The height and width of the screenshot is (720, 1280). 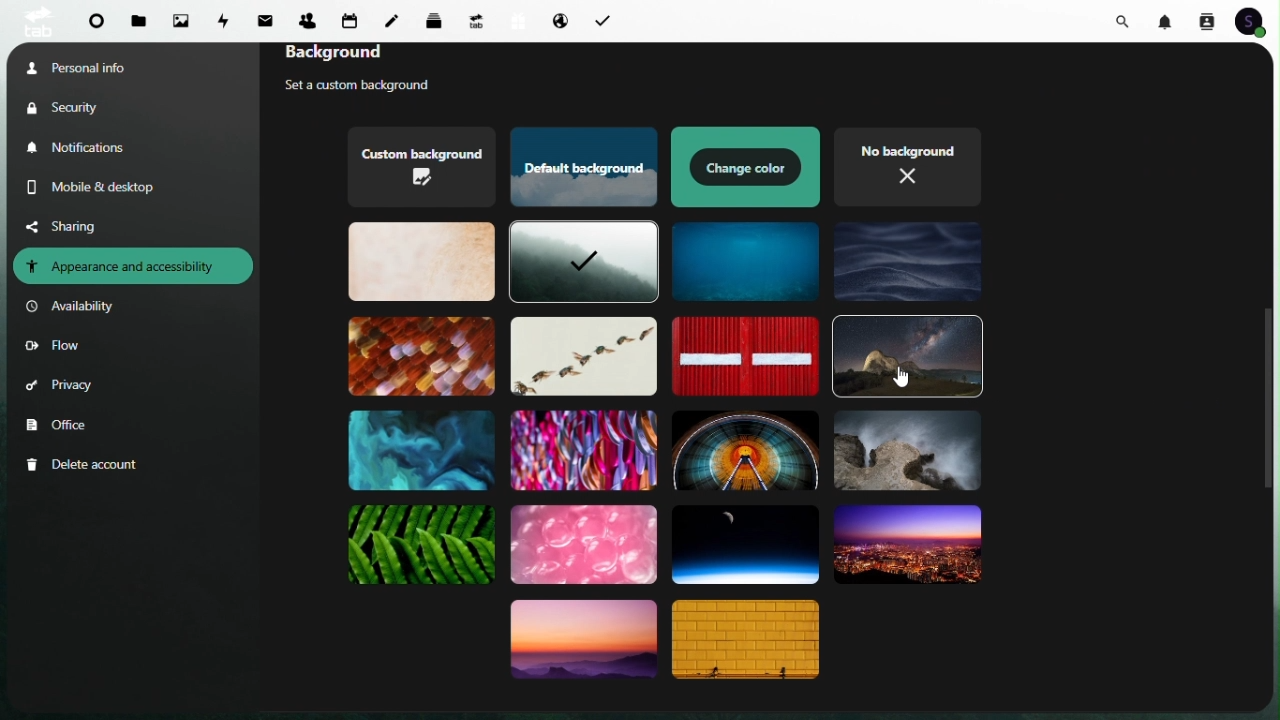 What do you see at coordinates (903, 376) in the screenshot?
I see `Cursor` at bounding box center [903, 376].